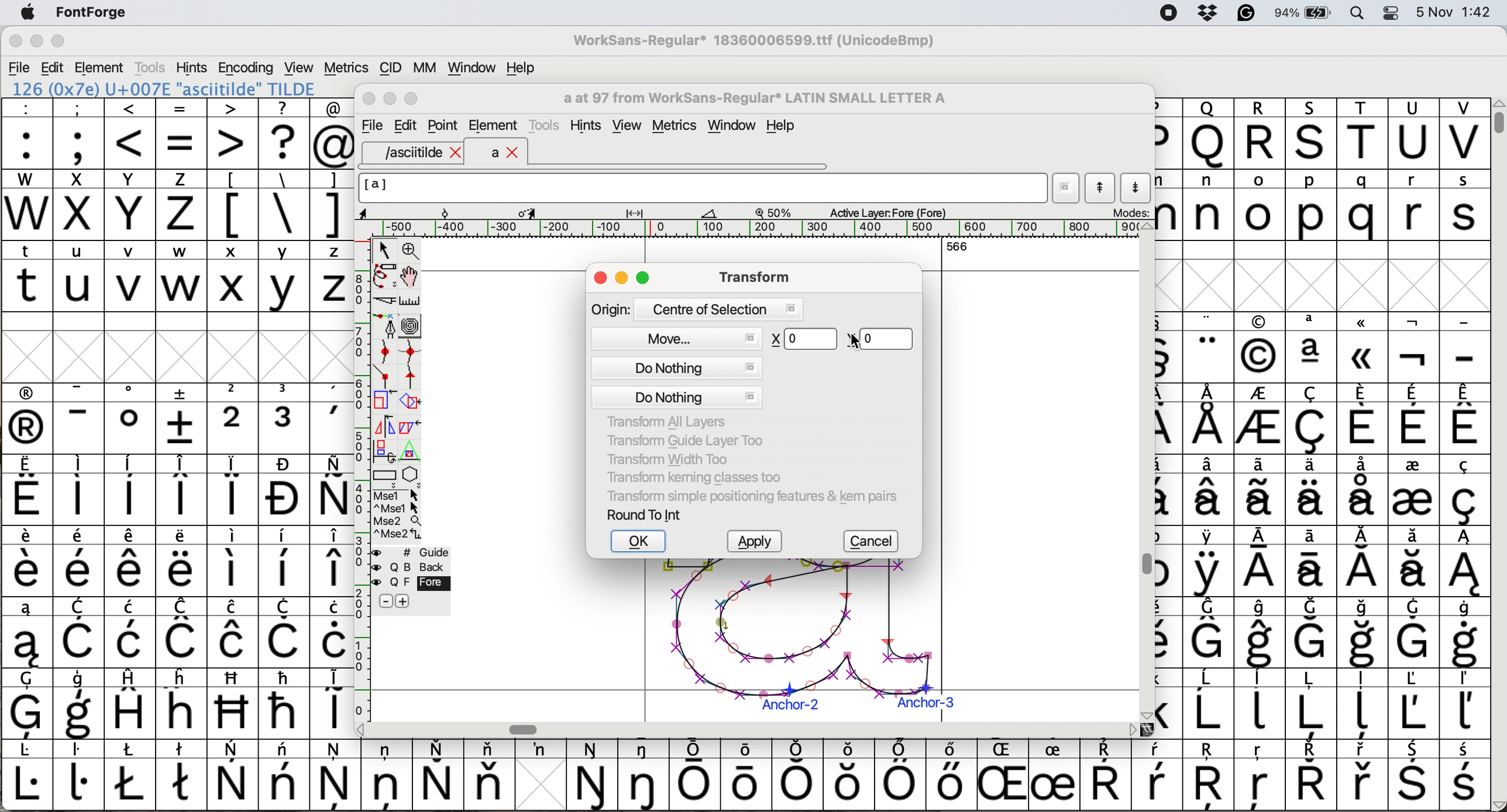 This screenshot has width=1507, height=812. Describe the element at coordinates (80, 705) in the screenshot. I see `symbol` at that location.